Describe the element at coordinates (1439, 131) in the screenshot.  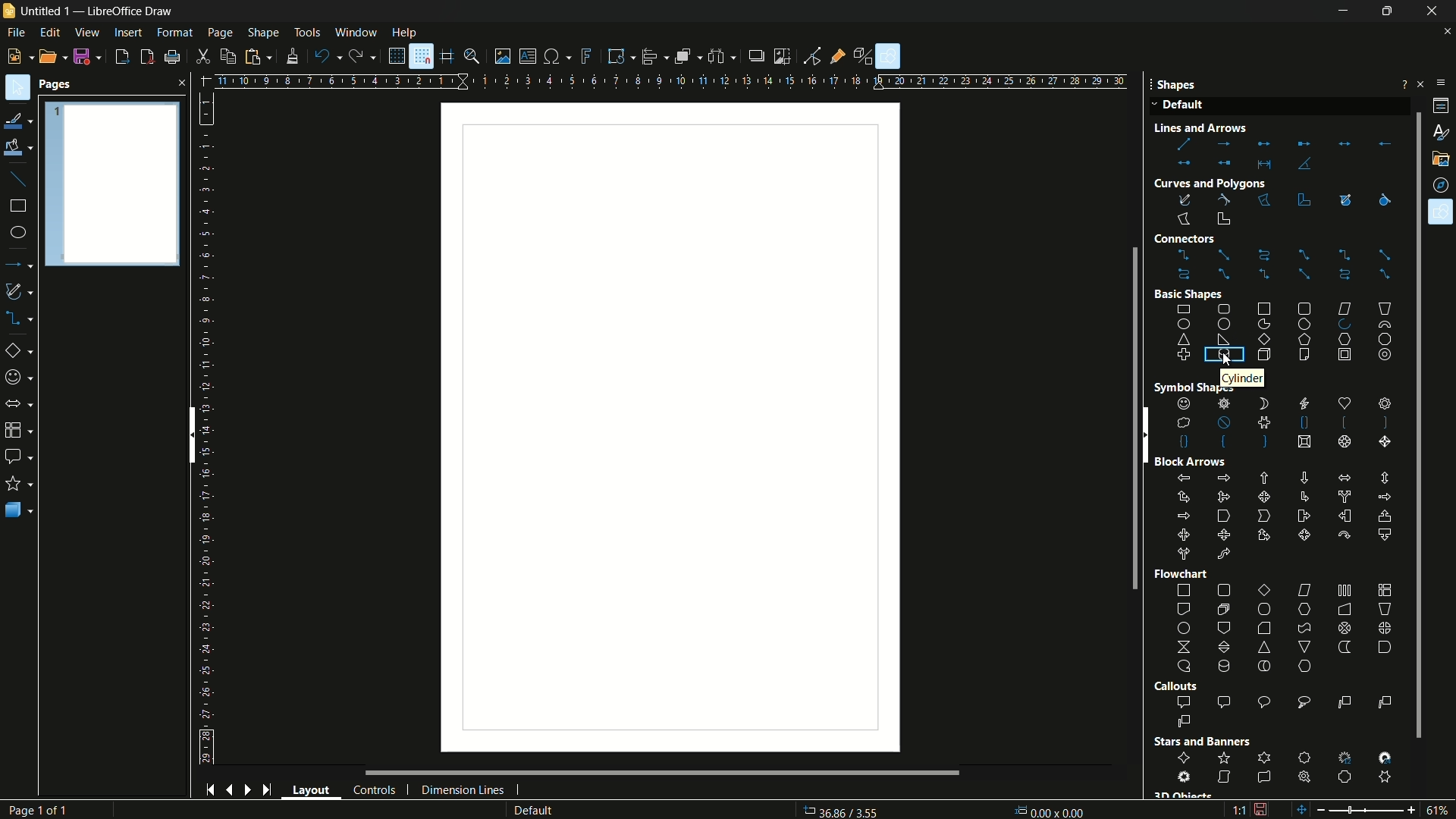
I see `styles` at that location.